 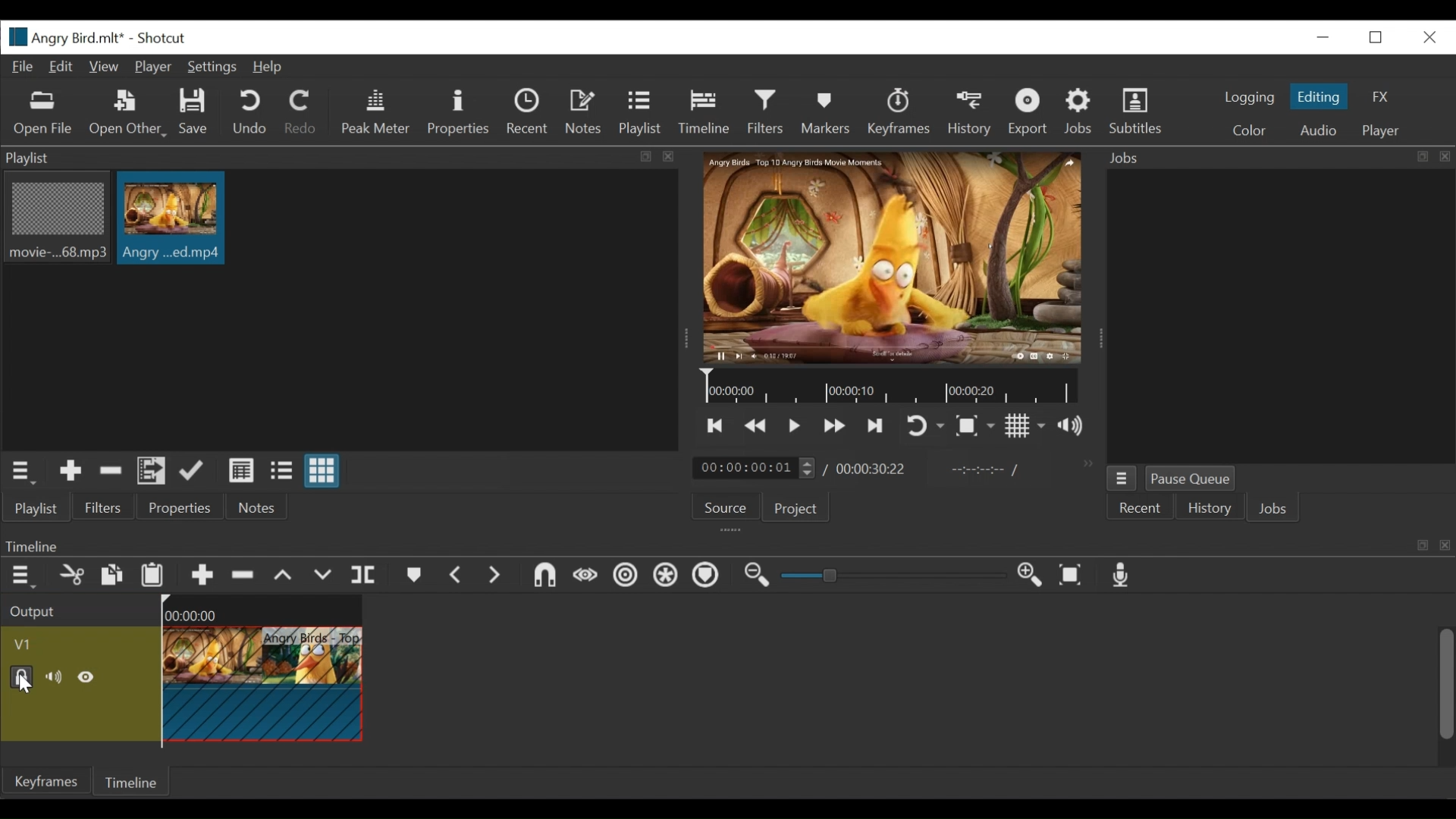 What do you see at coordinates (127, 114) in the screenshot?
I see `Open Other` at bounding box center [127, 114].